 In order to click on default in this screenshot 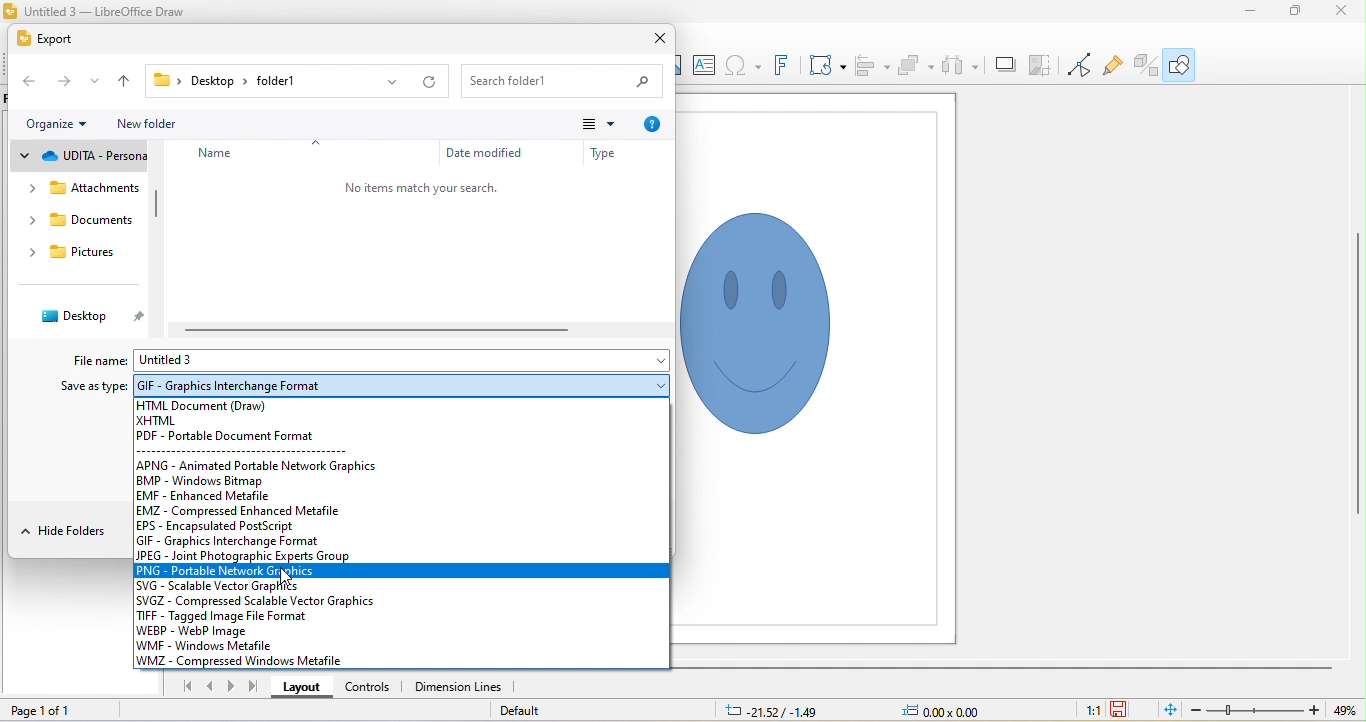, I will do `click(518, 706)`.